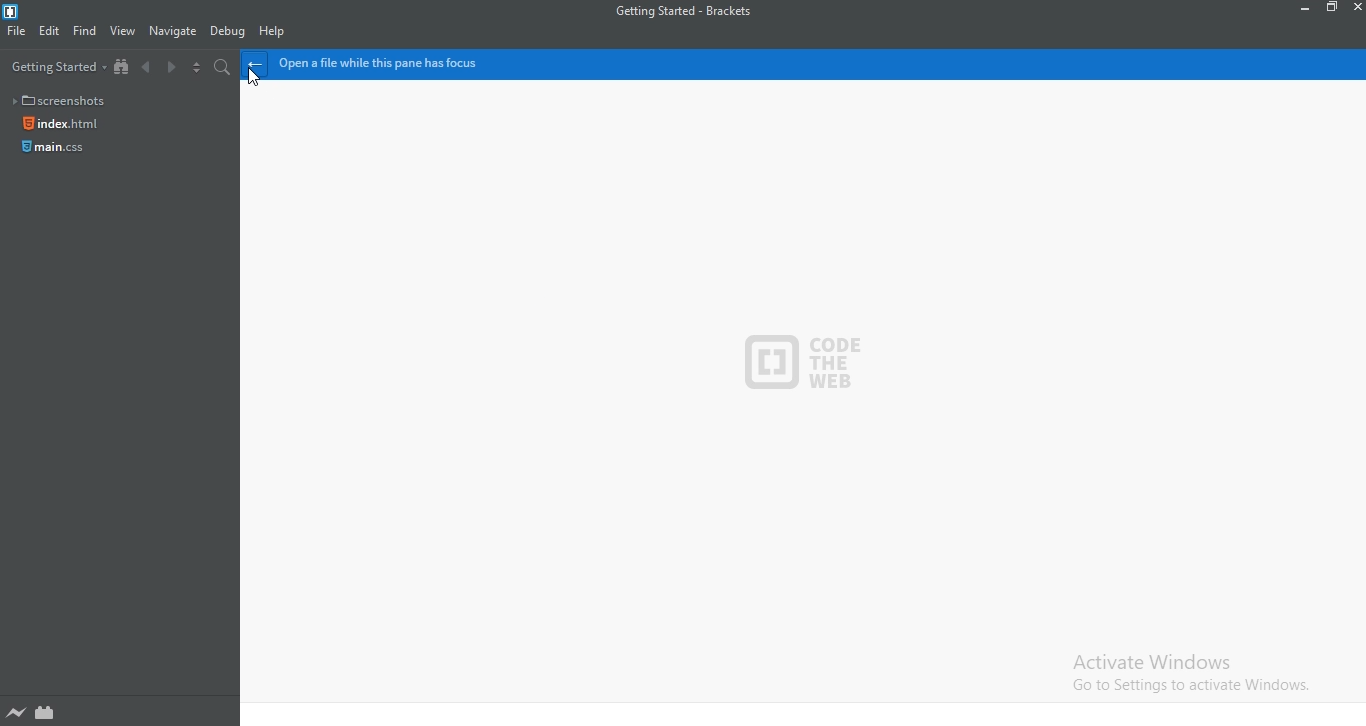  Describe the element at coordinates (253, 79) in the screenshot. I see `cursor` at that location.